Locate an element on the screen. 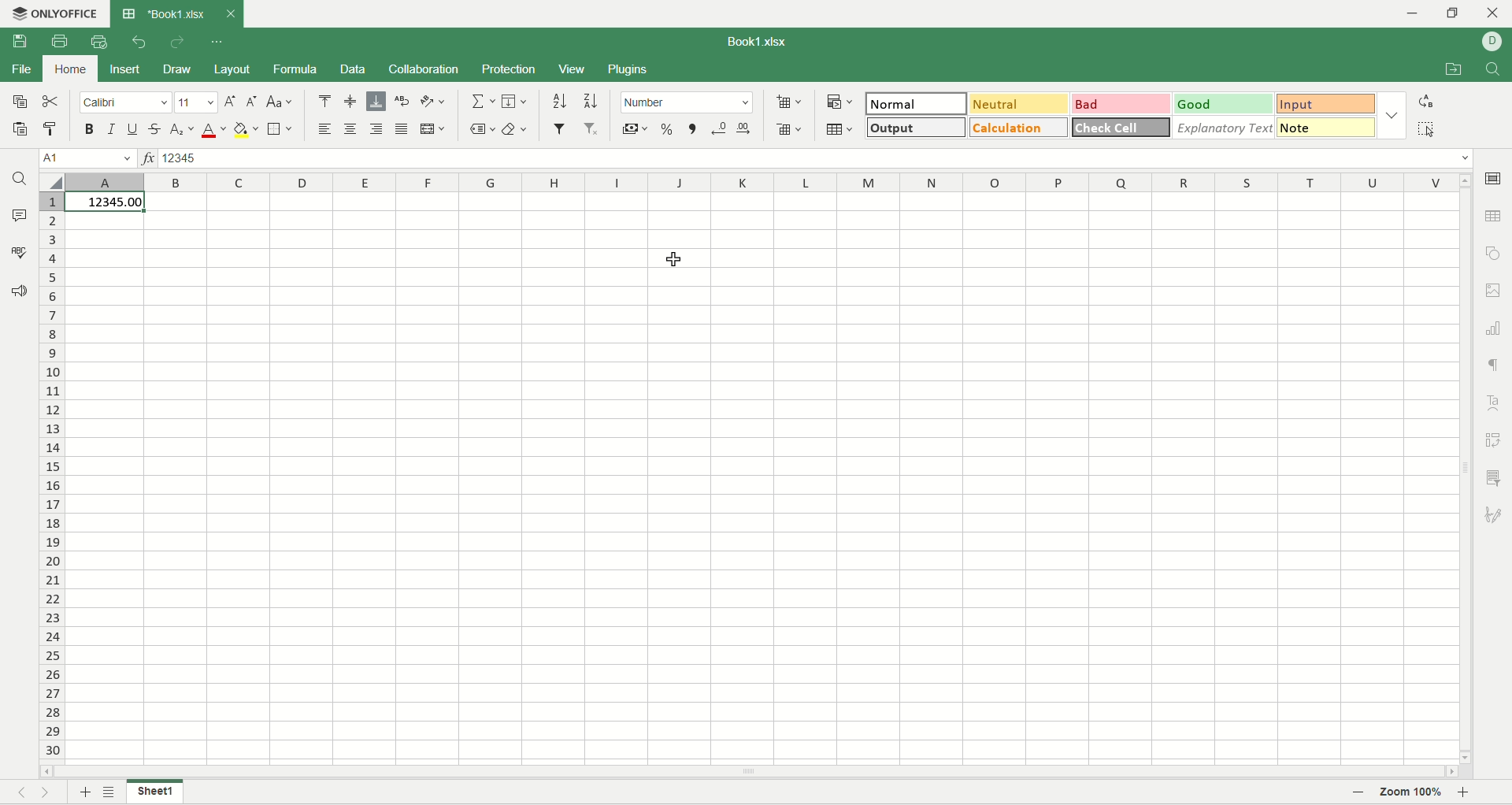  calculation is located at coordinates (1020, 127).